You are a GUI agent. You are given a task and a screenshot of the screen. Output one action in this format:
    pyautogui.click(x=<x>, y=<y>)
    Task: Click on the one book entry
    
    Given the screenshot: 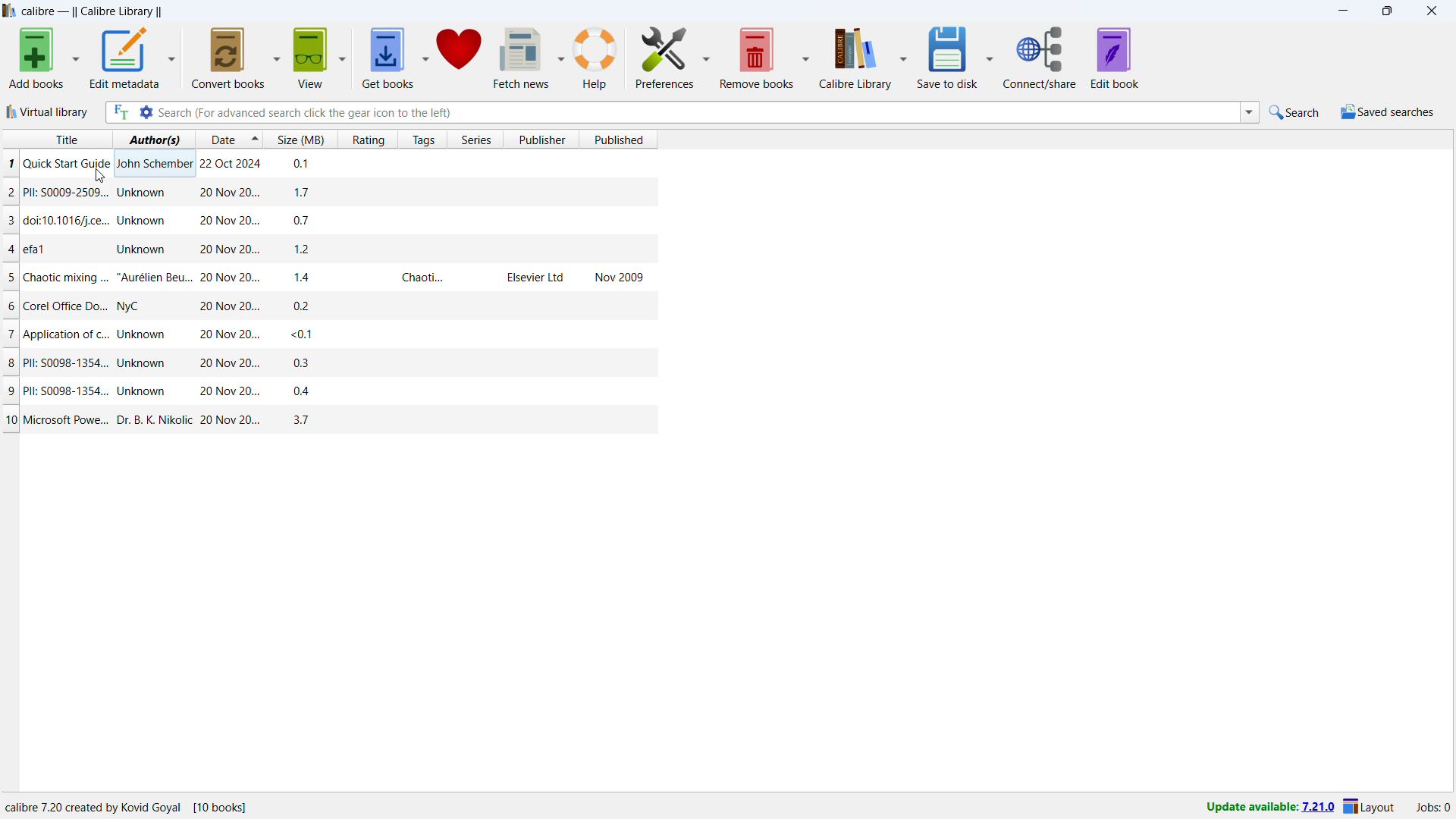 What is the action you would take?
    pyautogui.click(x=330, y=419)
    